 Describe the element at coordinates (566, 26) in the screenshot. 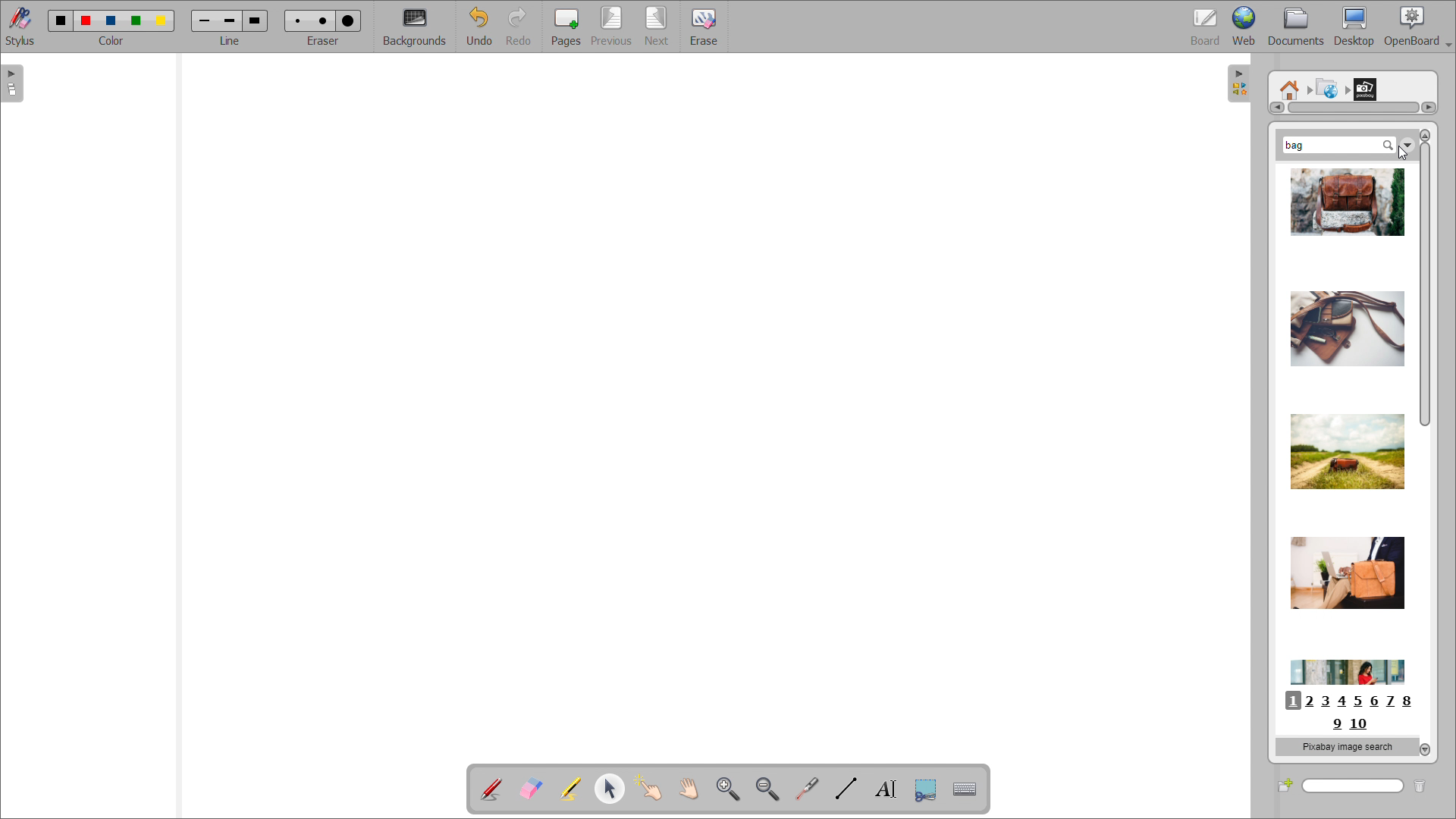

I see `add pages` at that location.